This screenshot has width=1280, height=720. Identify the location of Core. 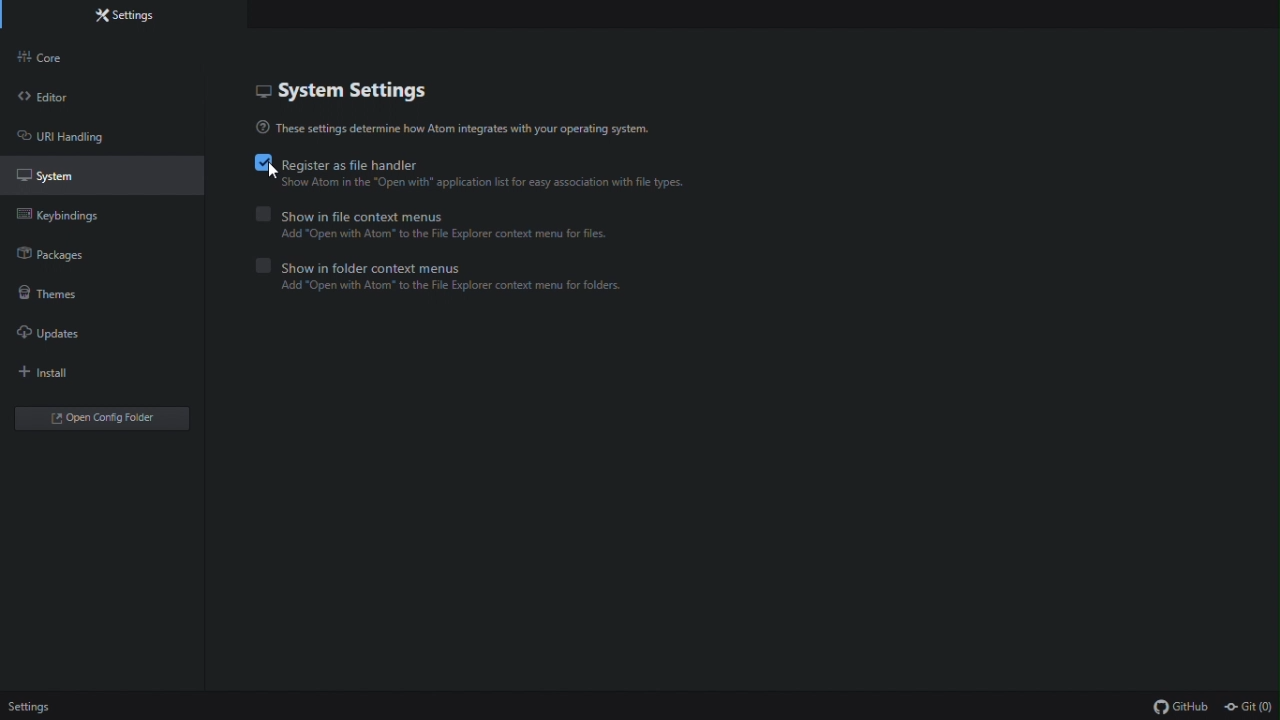
(71, 60).